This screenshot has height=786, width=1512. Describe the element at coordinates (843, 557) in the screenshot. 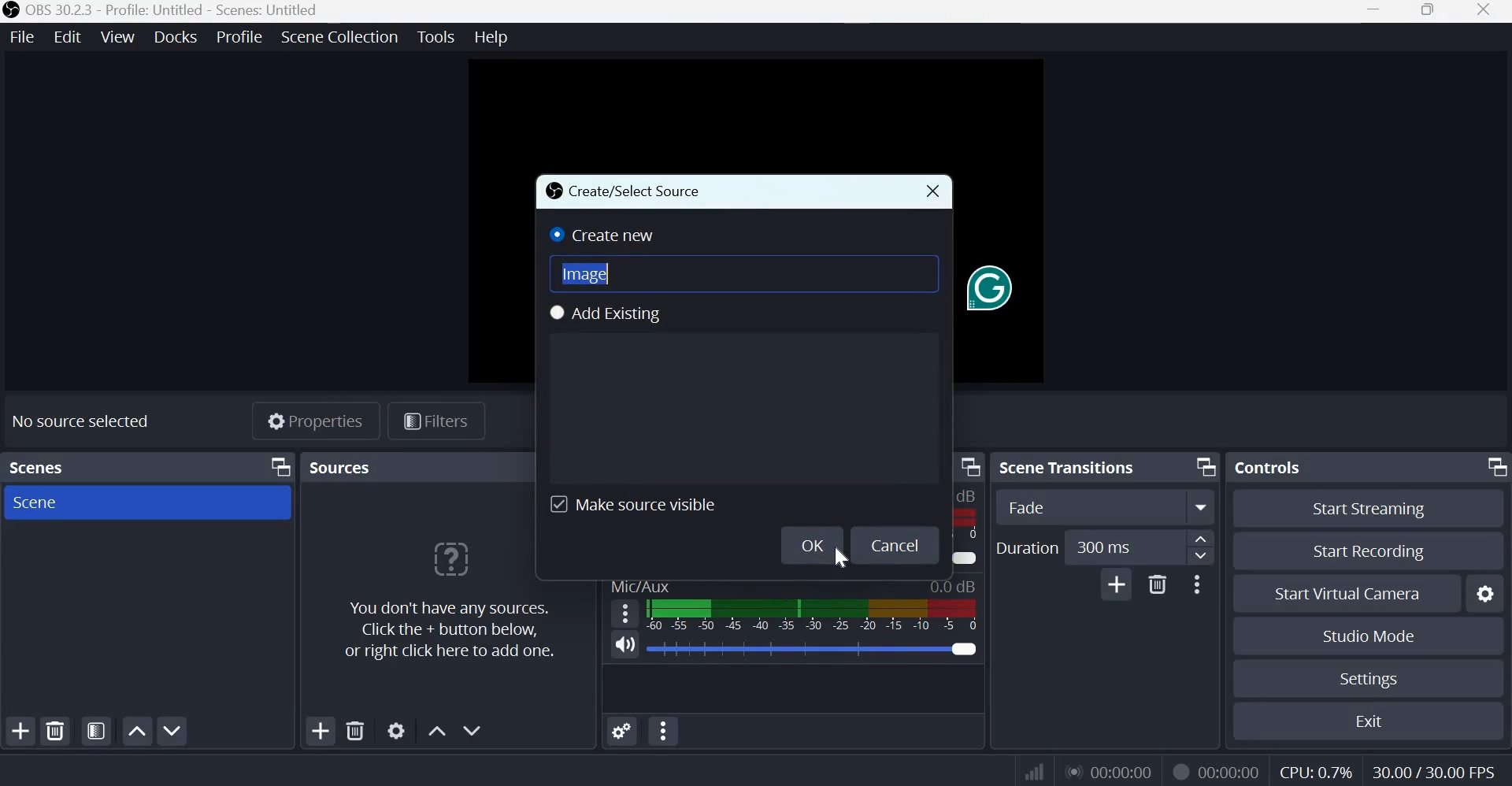

I see `cursor` at that location.